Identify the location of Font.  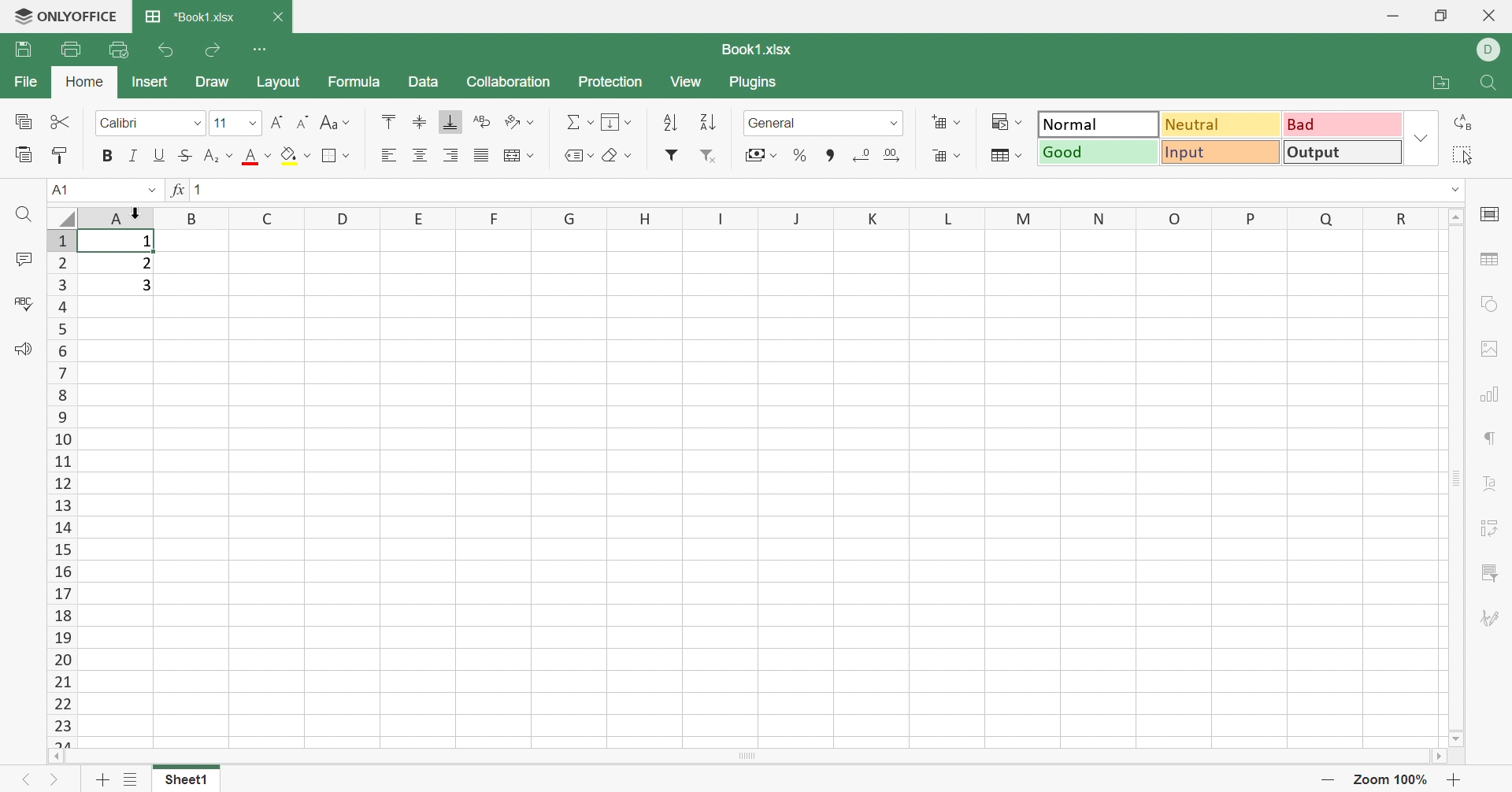
(255, 157).